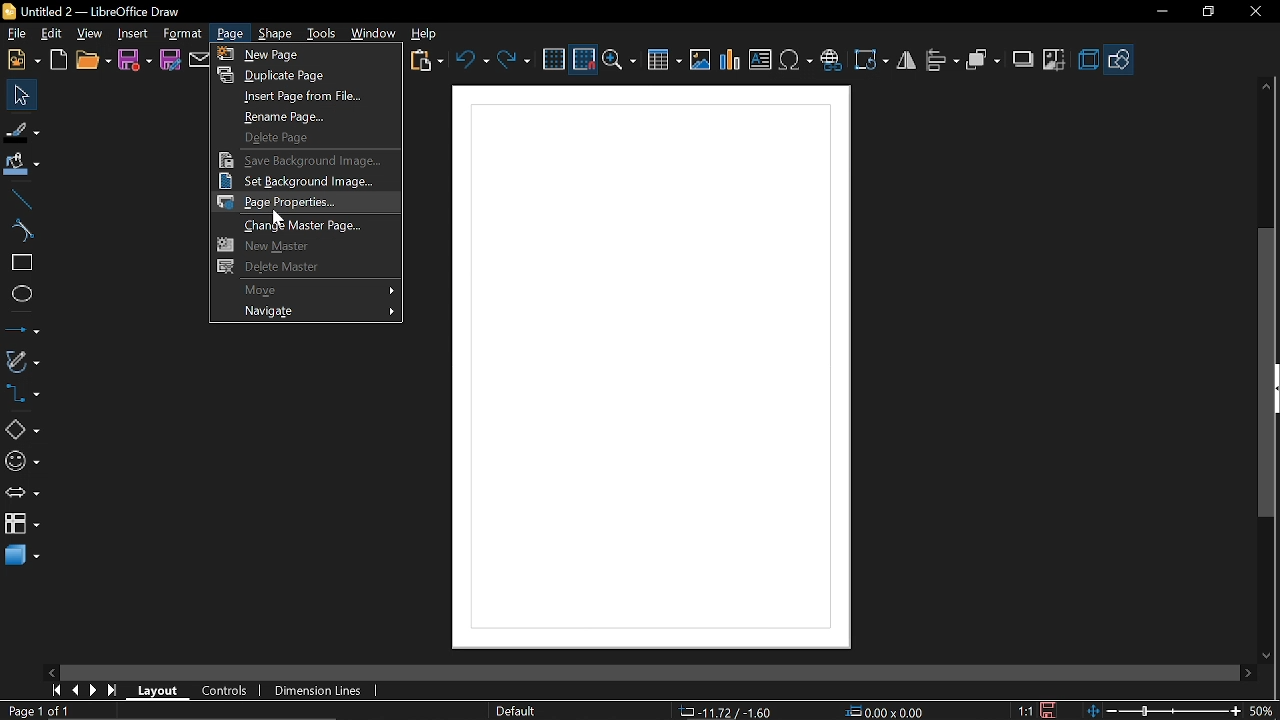  What do you see at coordinates (51, 34) in the screenshot?
I see `Edit` at bounding box center [51, 34].